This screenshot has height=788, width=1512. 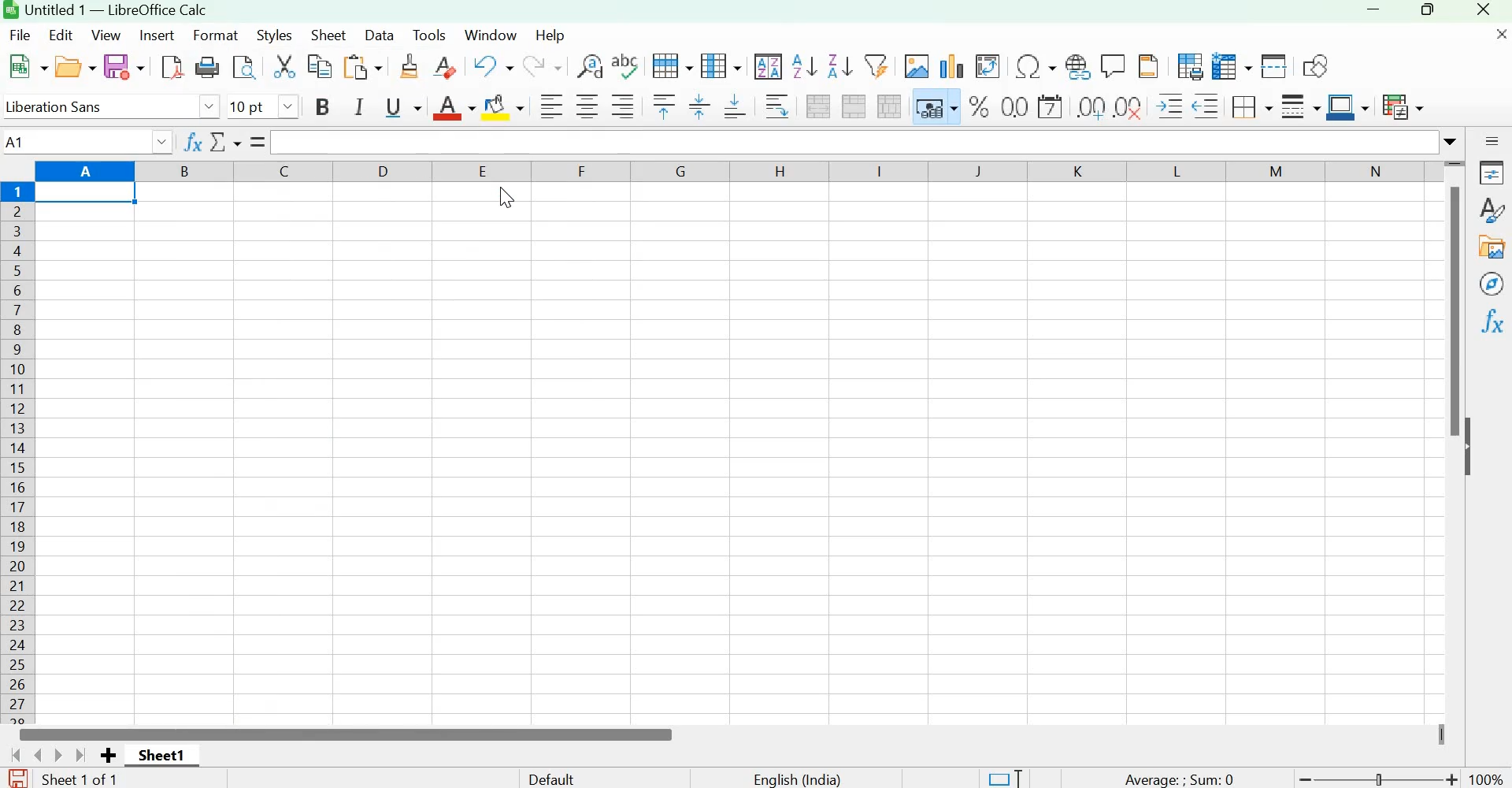 I want to click on Insert chart, so click(x=952, y=65).